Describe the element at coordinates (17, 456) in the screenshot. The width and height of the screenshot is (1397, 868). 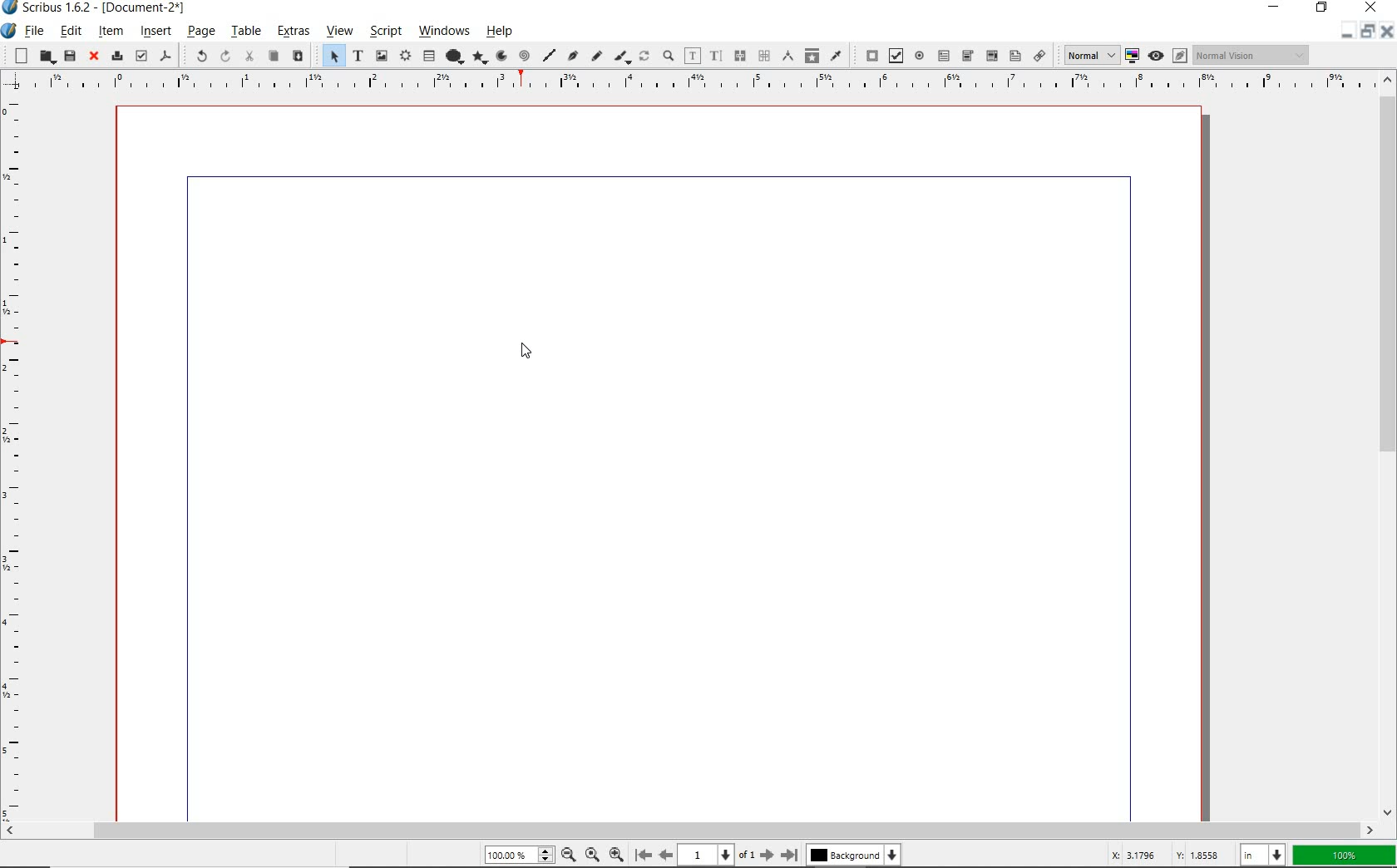
I see `ruler` at that location.